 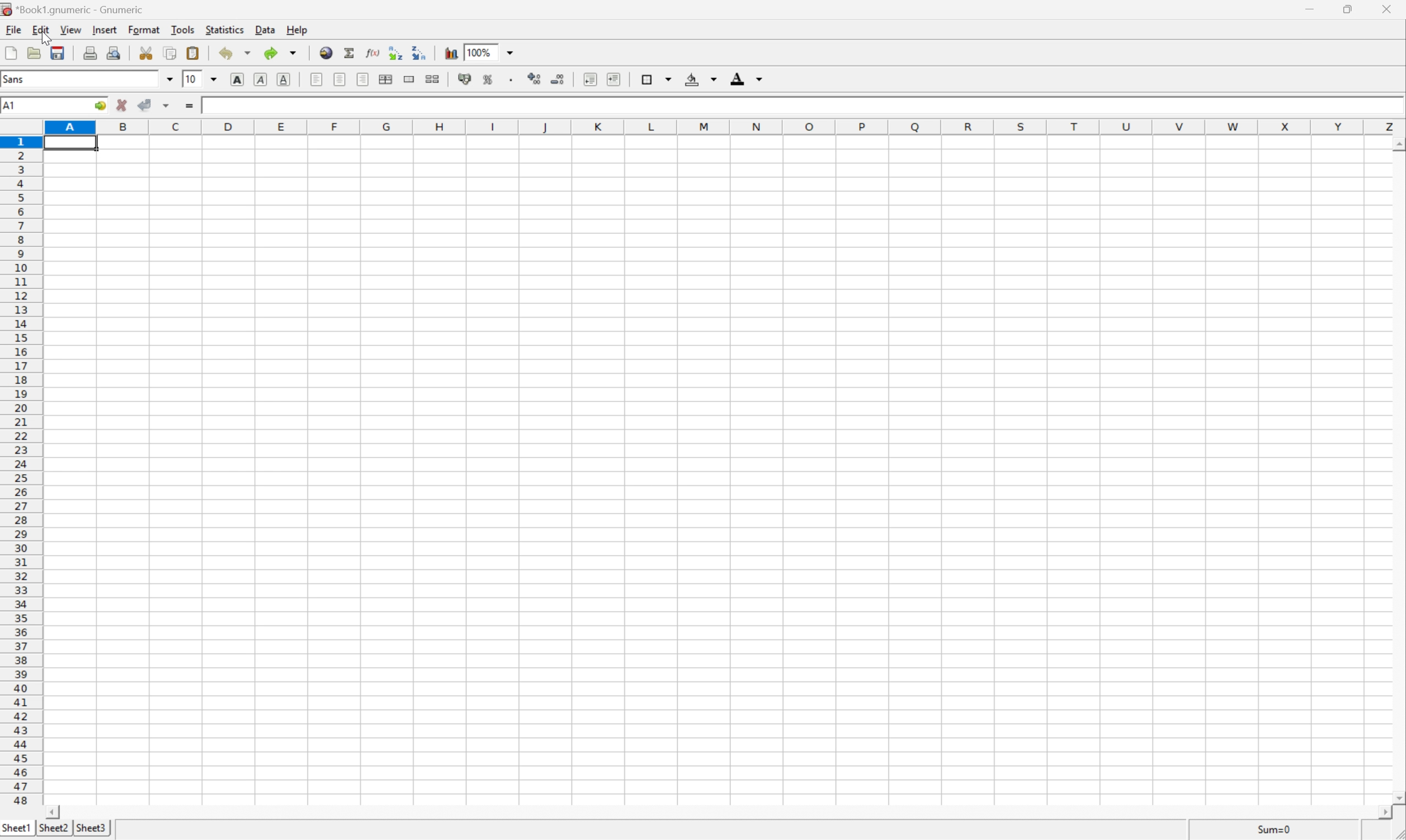 I want to click on file, so click(x=12, y=29).